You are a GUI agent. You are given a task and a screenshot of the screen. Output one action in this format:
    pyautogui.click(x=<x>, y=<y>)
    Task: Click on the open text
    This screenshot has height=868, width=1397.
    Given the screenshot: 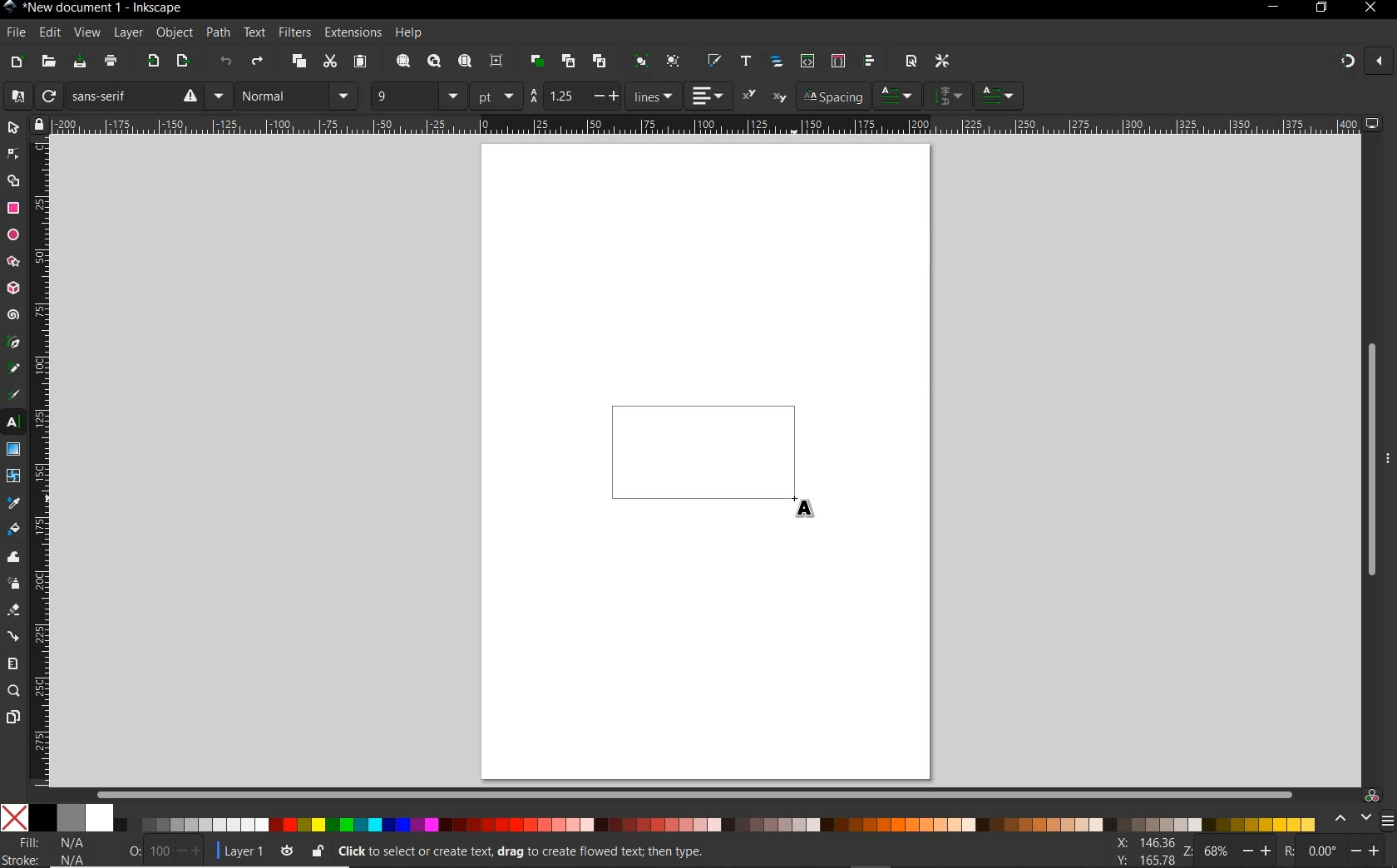 What is the action you would take?
    pyautogui.click(x=745, y=60)
    